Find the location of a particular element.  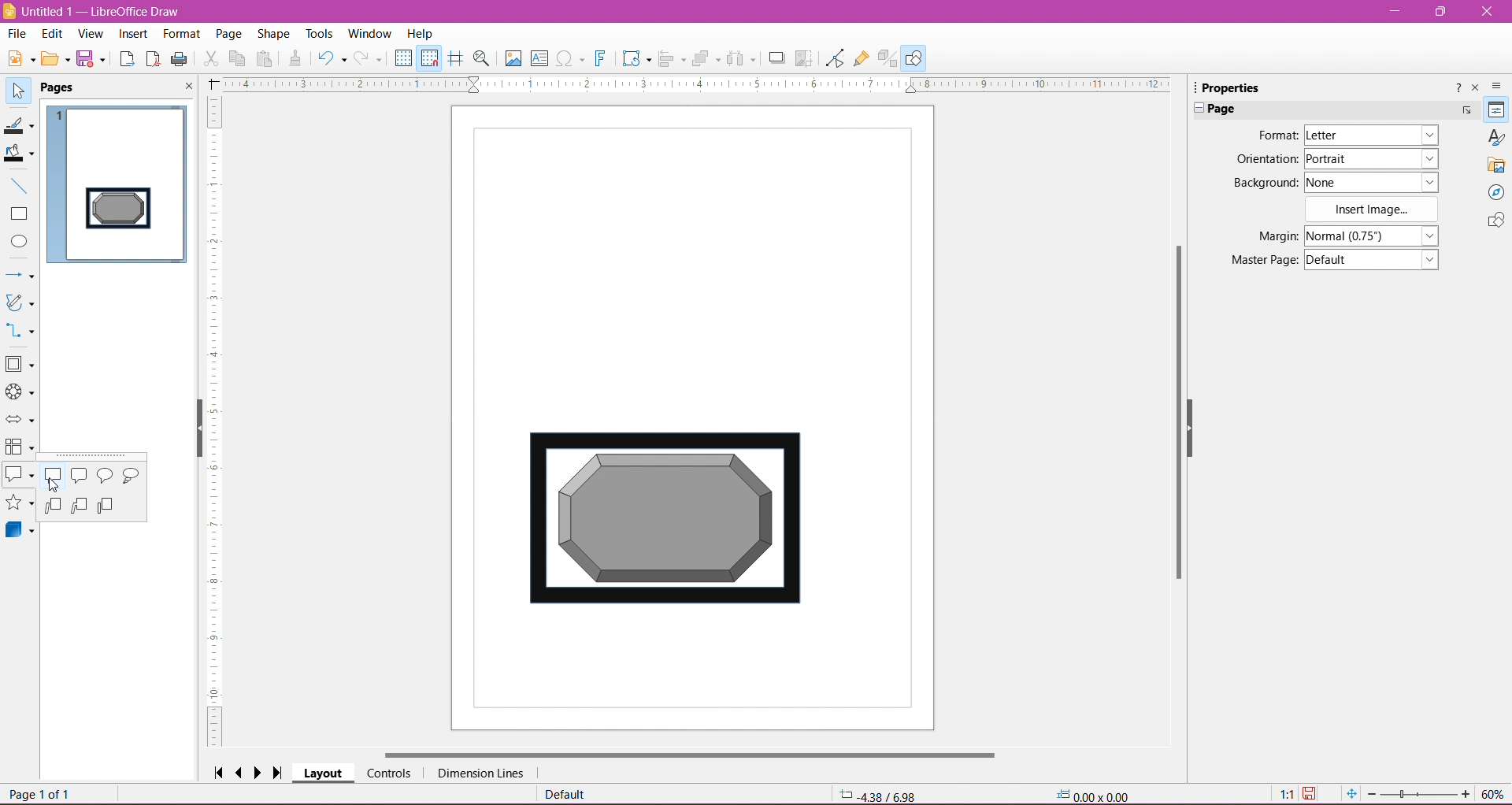

Stars and Banners is located at coordinates (20, 504).